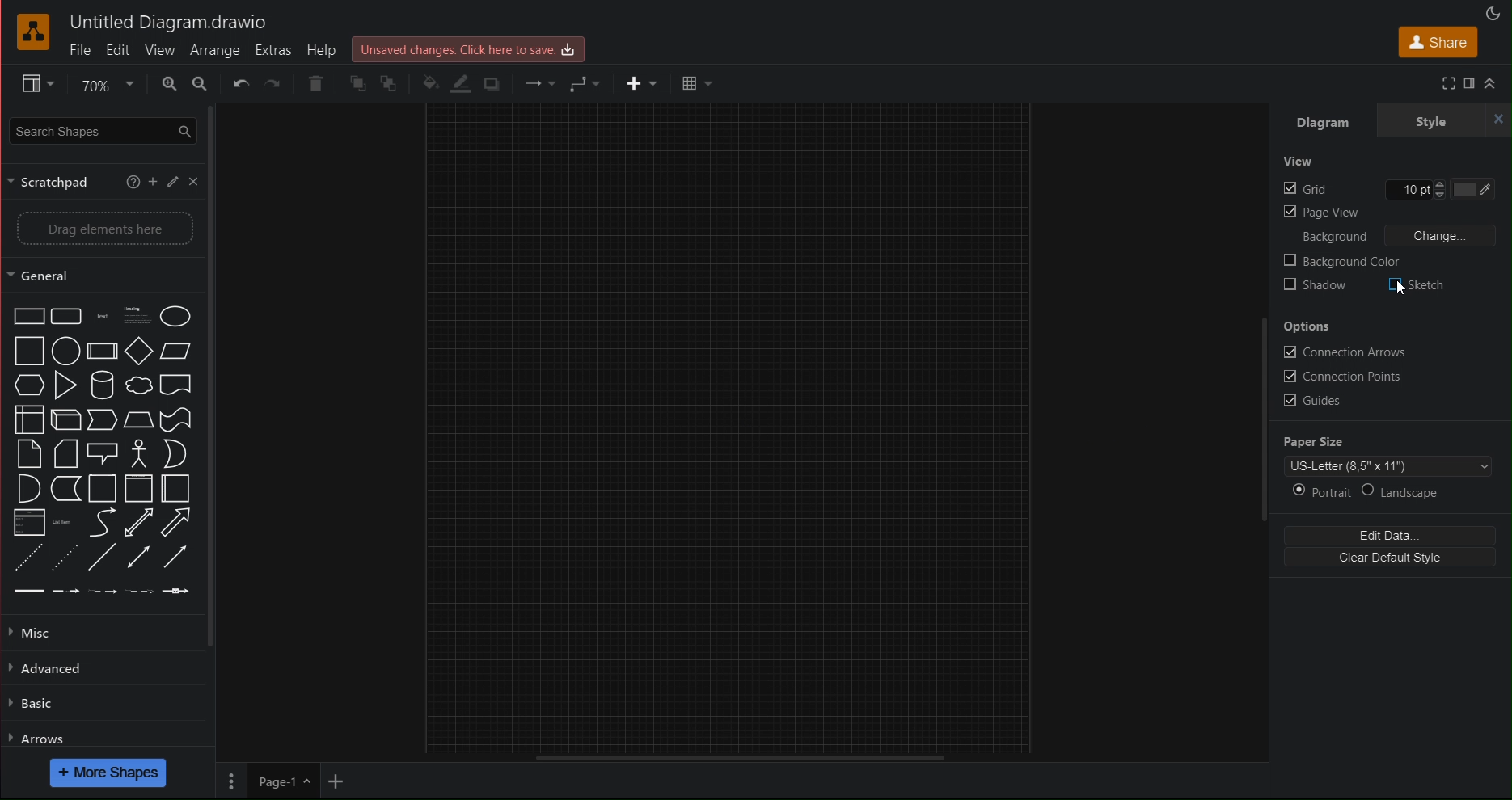  What do you see at coordinates (1394, 534) in the screenshot?
I see `Edit Data` at bounding box center [1394, 534].